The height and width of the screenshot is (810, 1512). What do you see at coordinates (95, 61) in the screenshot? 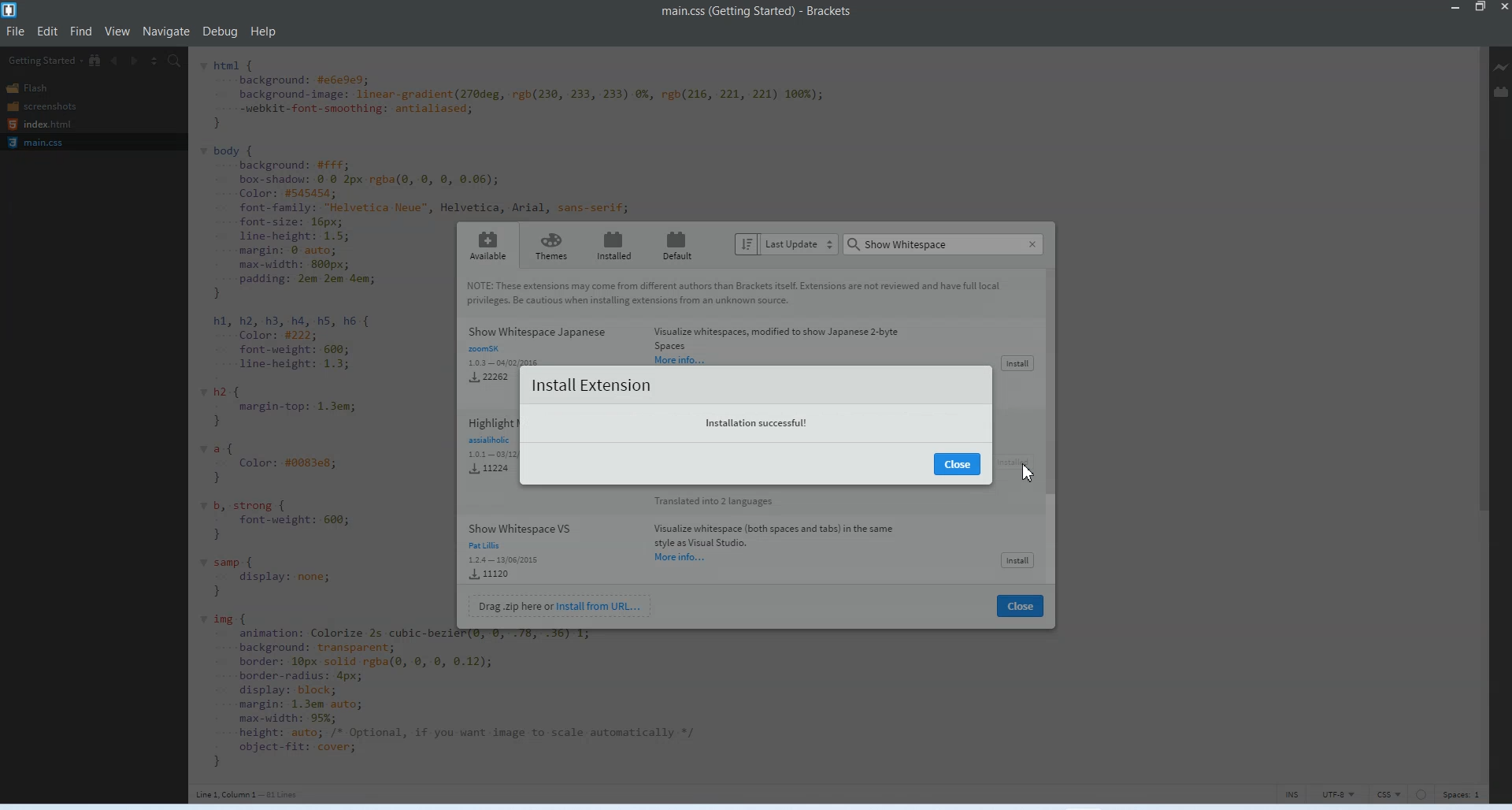
I see `Show in file Tree` at bounding box center [95, 61].